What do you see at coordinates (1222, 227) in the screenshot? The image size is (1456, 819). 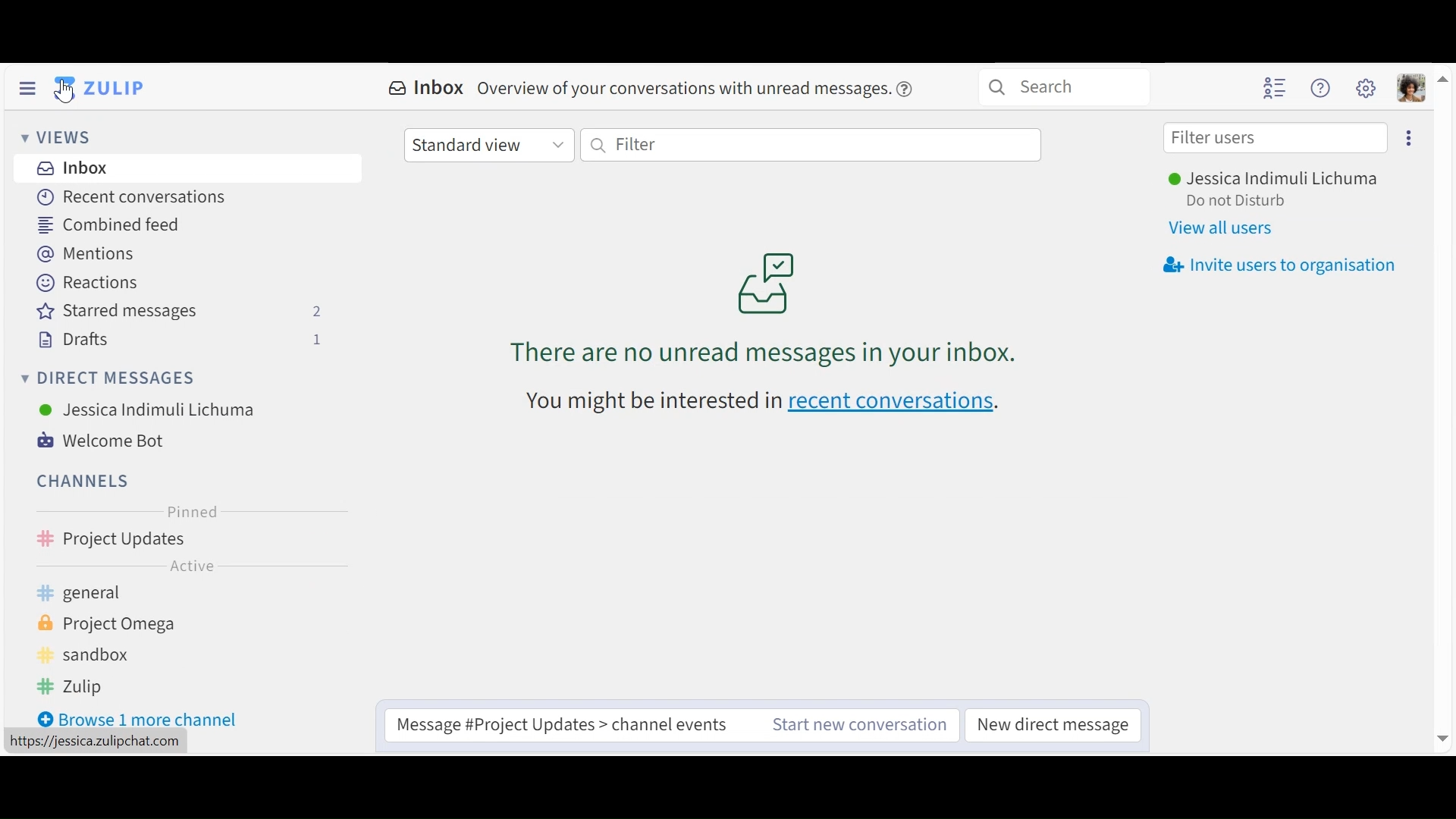 I see `View all users` at bounding box center [1222, 227].